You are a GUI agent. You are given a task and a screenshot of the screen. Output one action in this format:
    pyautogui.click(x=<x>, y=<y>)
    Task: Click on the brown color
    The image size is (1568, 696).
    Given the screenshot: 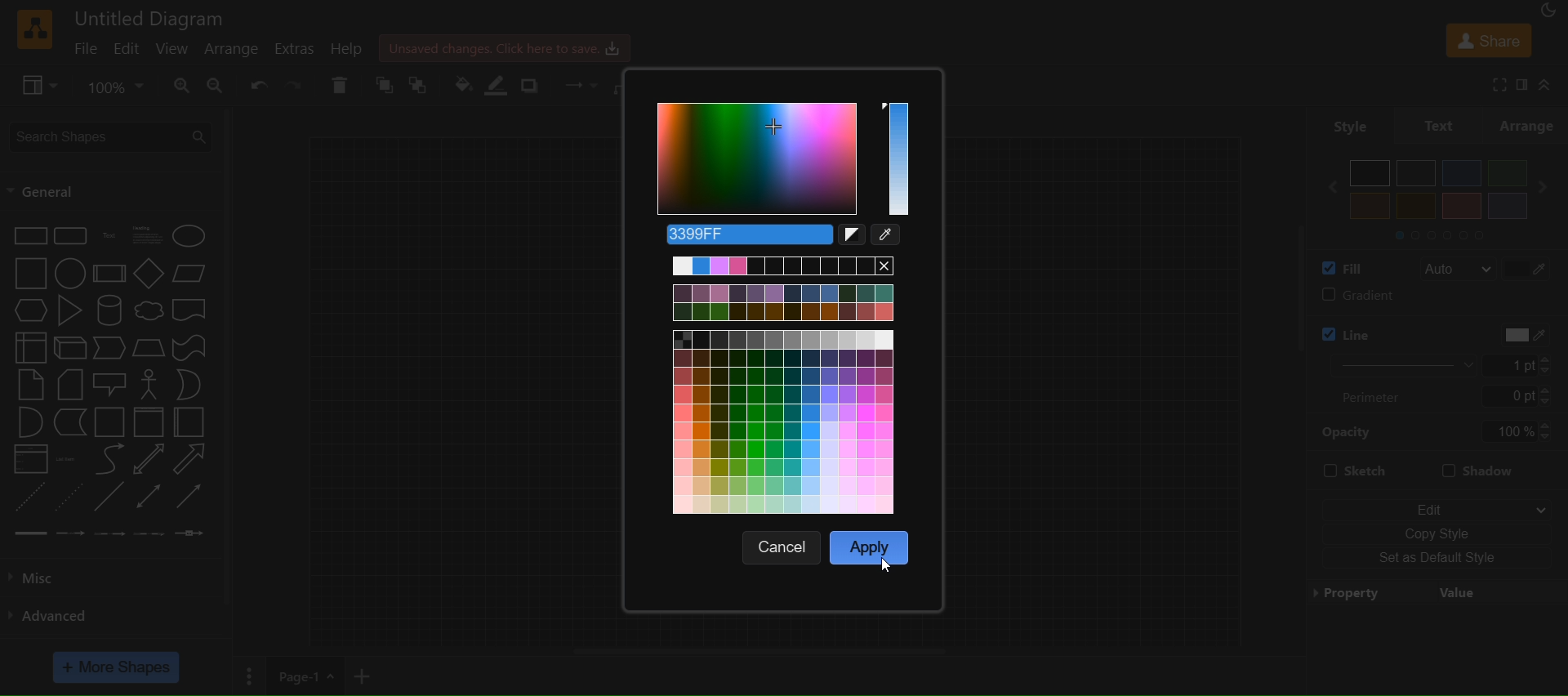 What is the action you would take?
    pyautogui.click(x=1461, y=206)
    